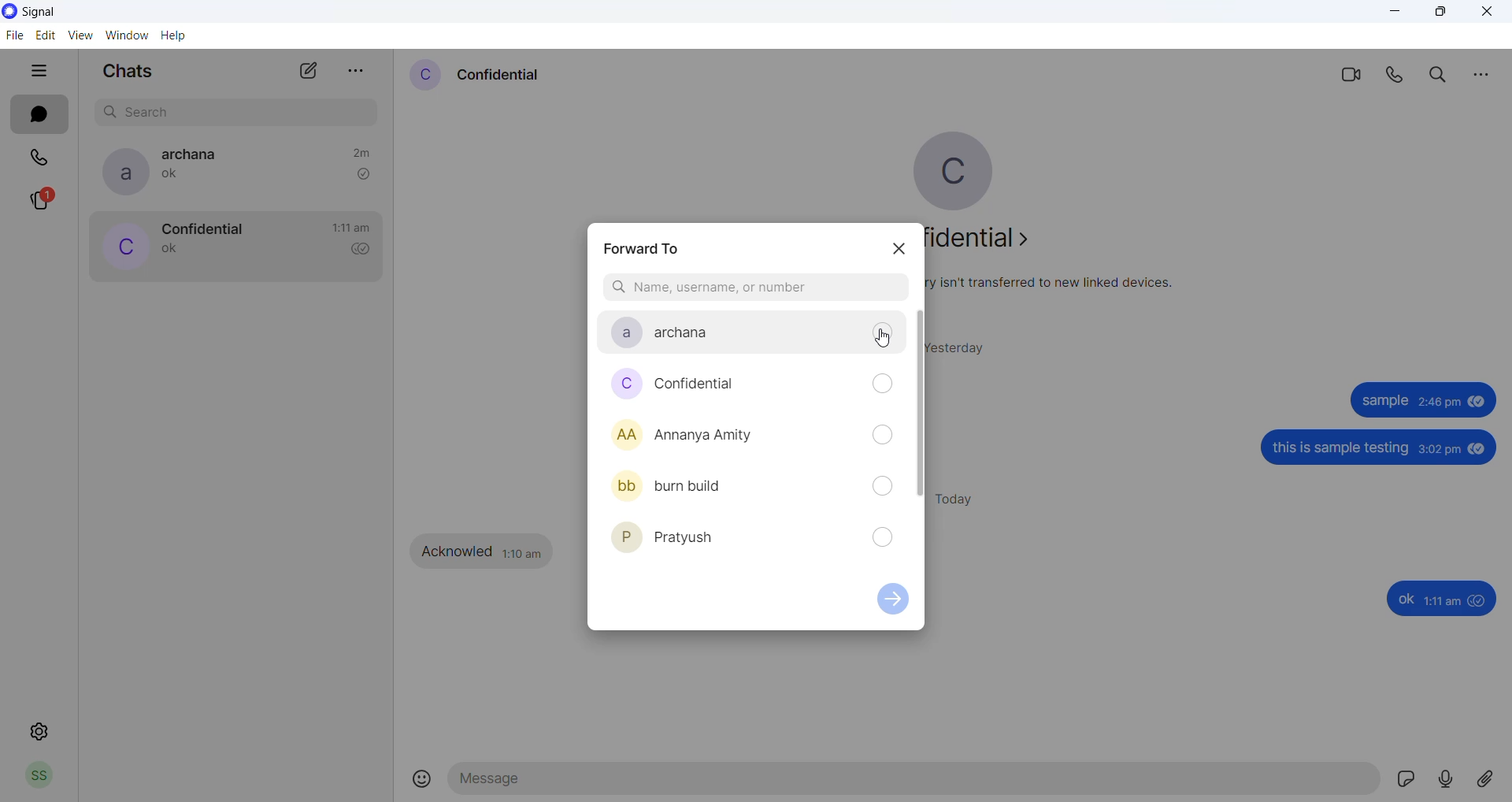  Describe the element at coordinates (1383, 402) in the screenshot. I see `sample` at that location.